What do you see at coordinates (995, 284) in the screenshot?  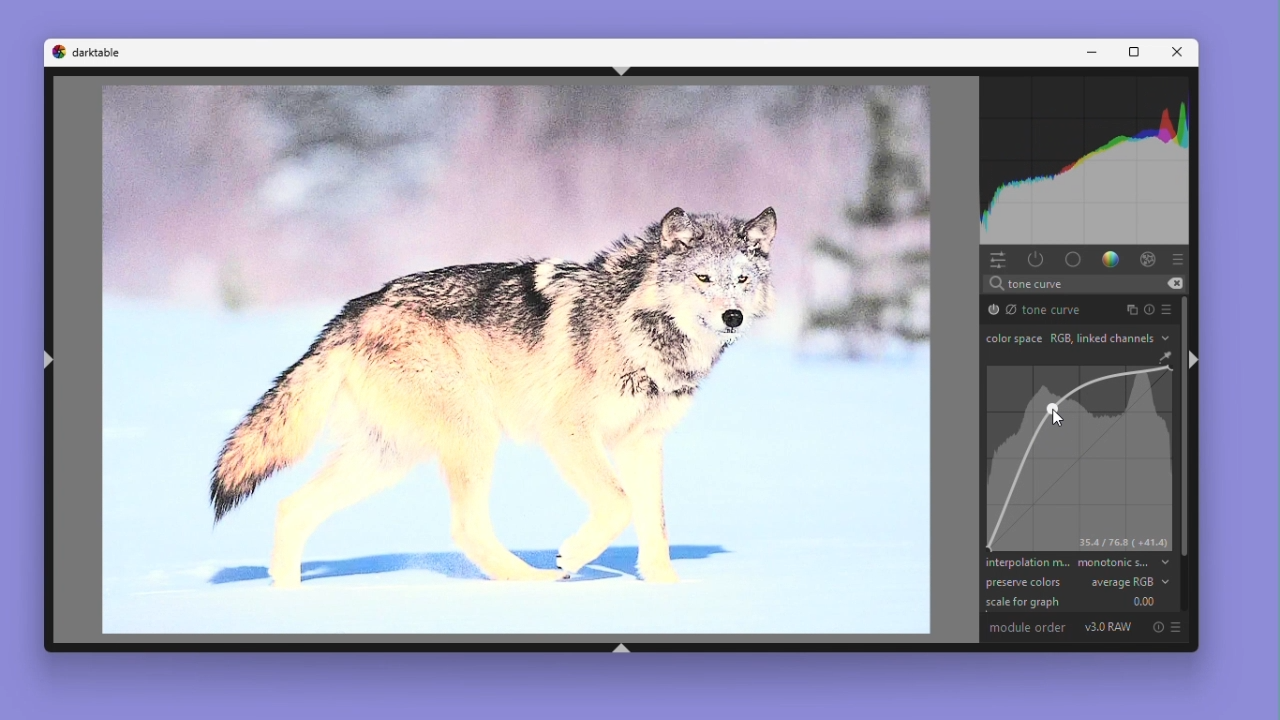 I see `search` at bounding box center [995, 284].